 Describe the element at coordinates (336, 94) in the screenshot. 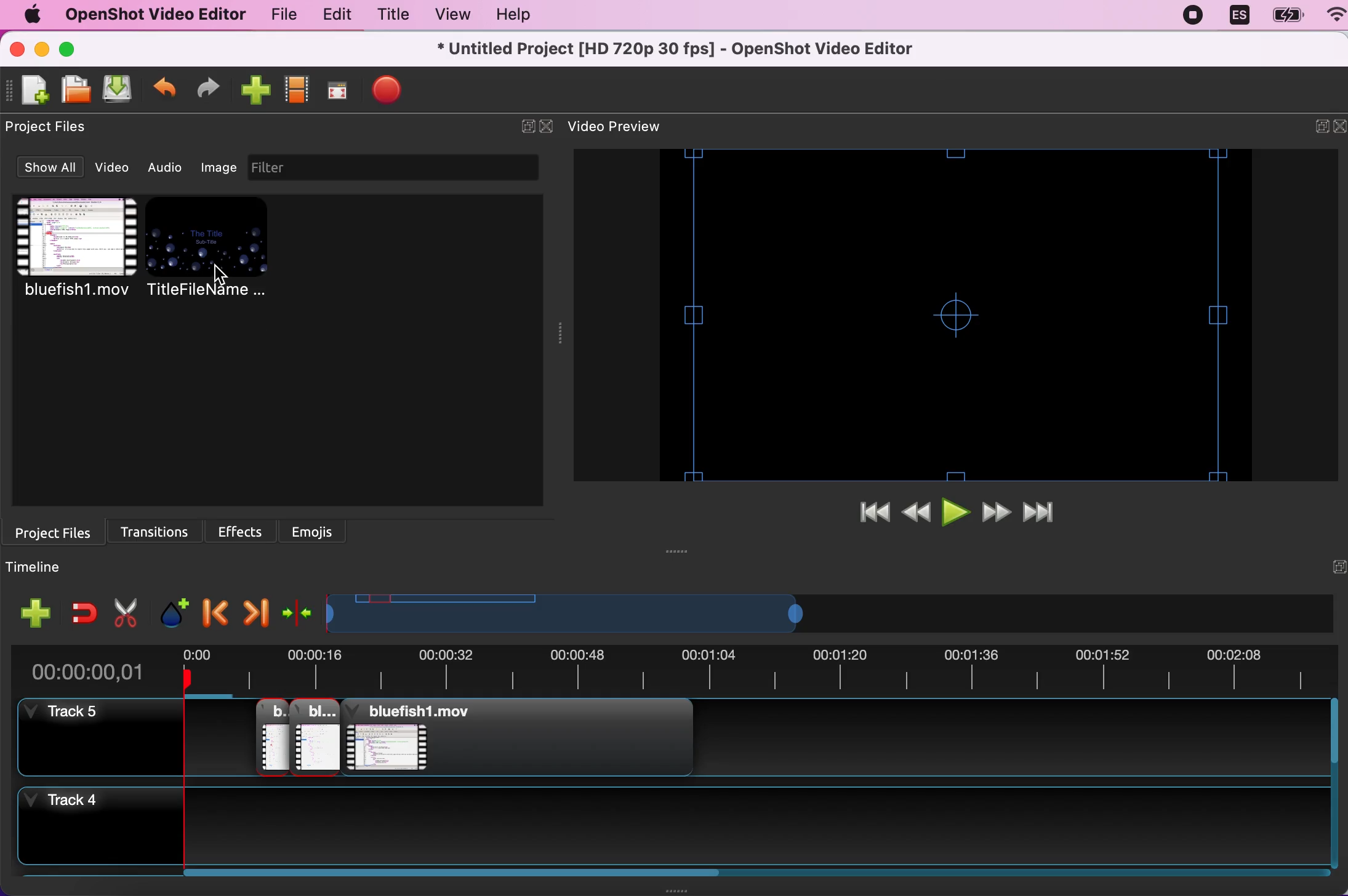

I see `full screen` at that location.